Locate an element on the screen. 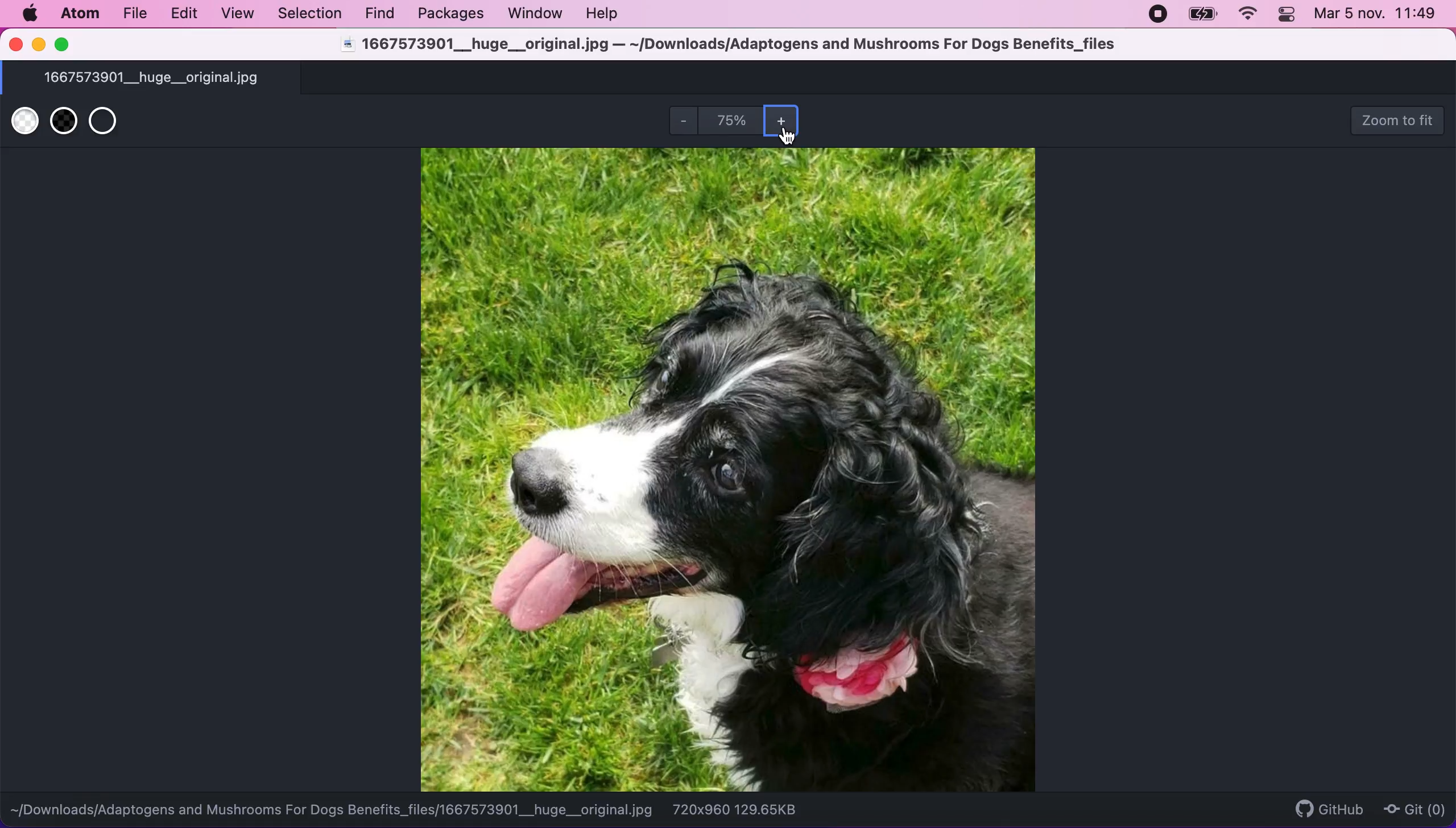 The image size is (1456, 828). use white transparent background is located at coordinates (23, 124).